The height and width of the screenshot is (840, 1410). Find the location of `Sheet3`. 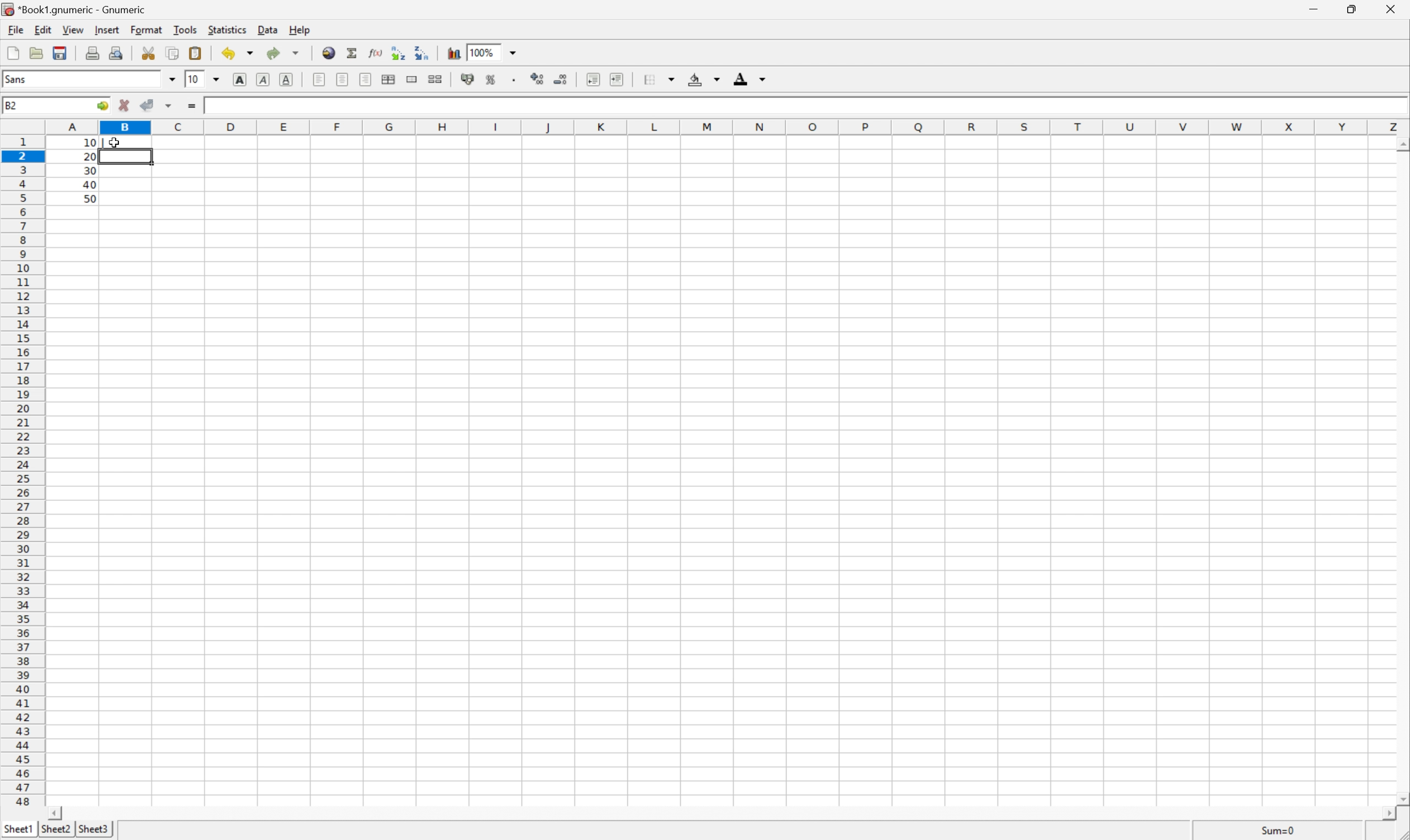

Sheet3 is located at coordinates (93, 830).